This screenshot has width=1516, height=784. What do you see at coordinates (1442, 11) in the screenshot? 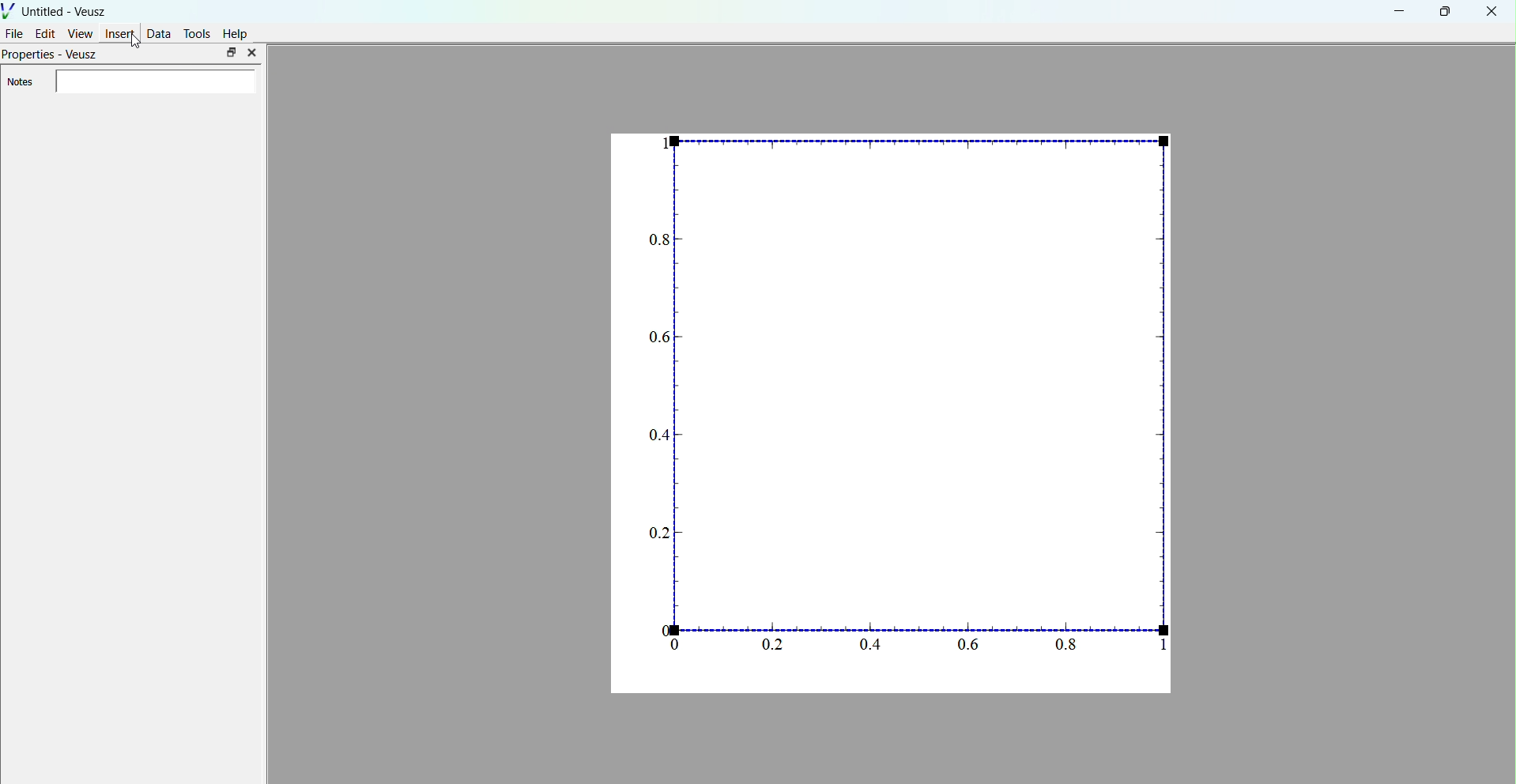
I see `maximise` at bounding box center [1442, 11].